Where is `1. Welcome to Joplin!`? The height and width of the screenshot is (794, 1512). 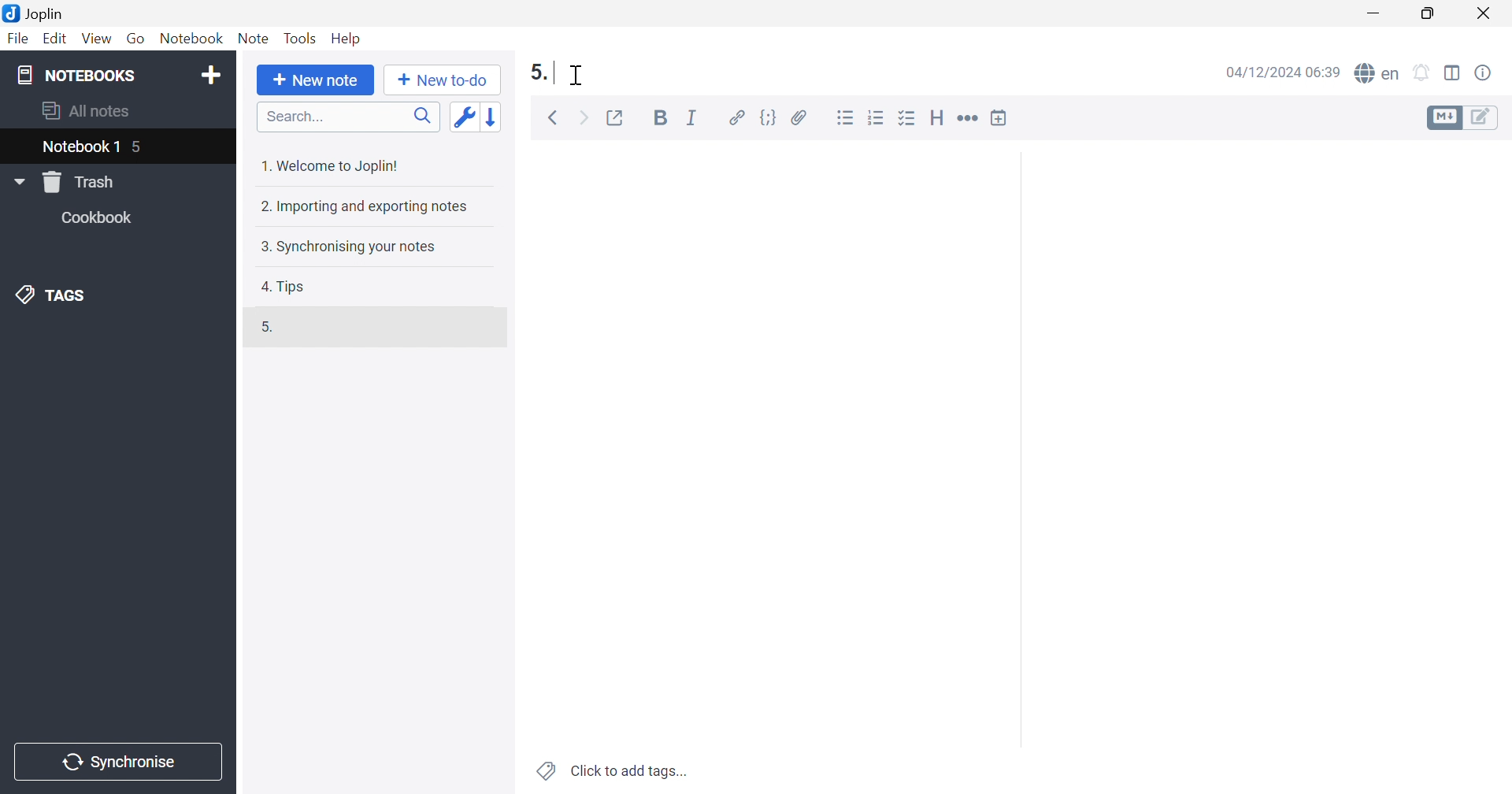
1. Welcome to Joplin! is located at coordinates (332, 164).